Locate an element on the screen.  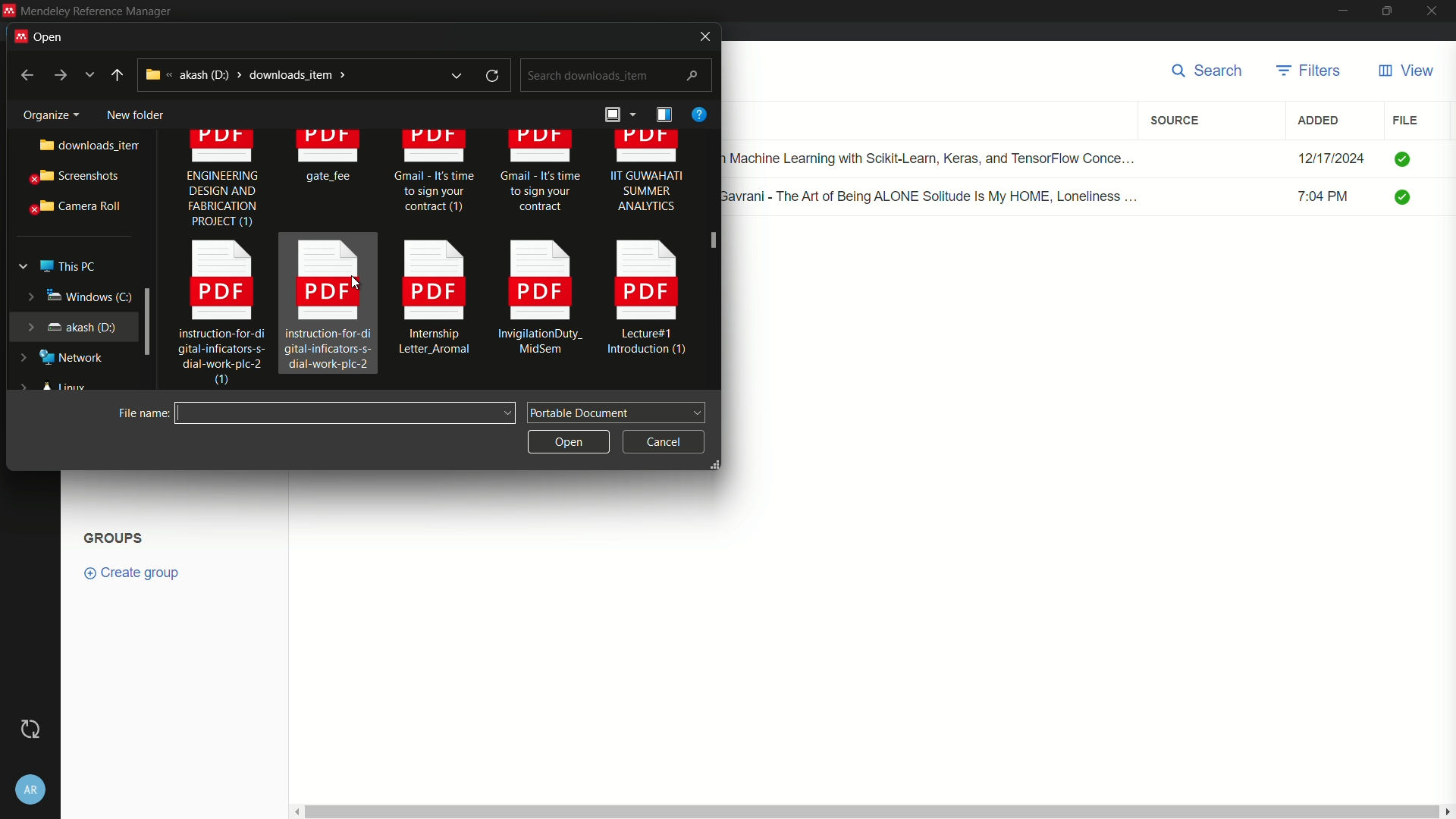
InvigilationDuty_
[EE is located at coordinates (541, 301).